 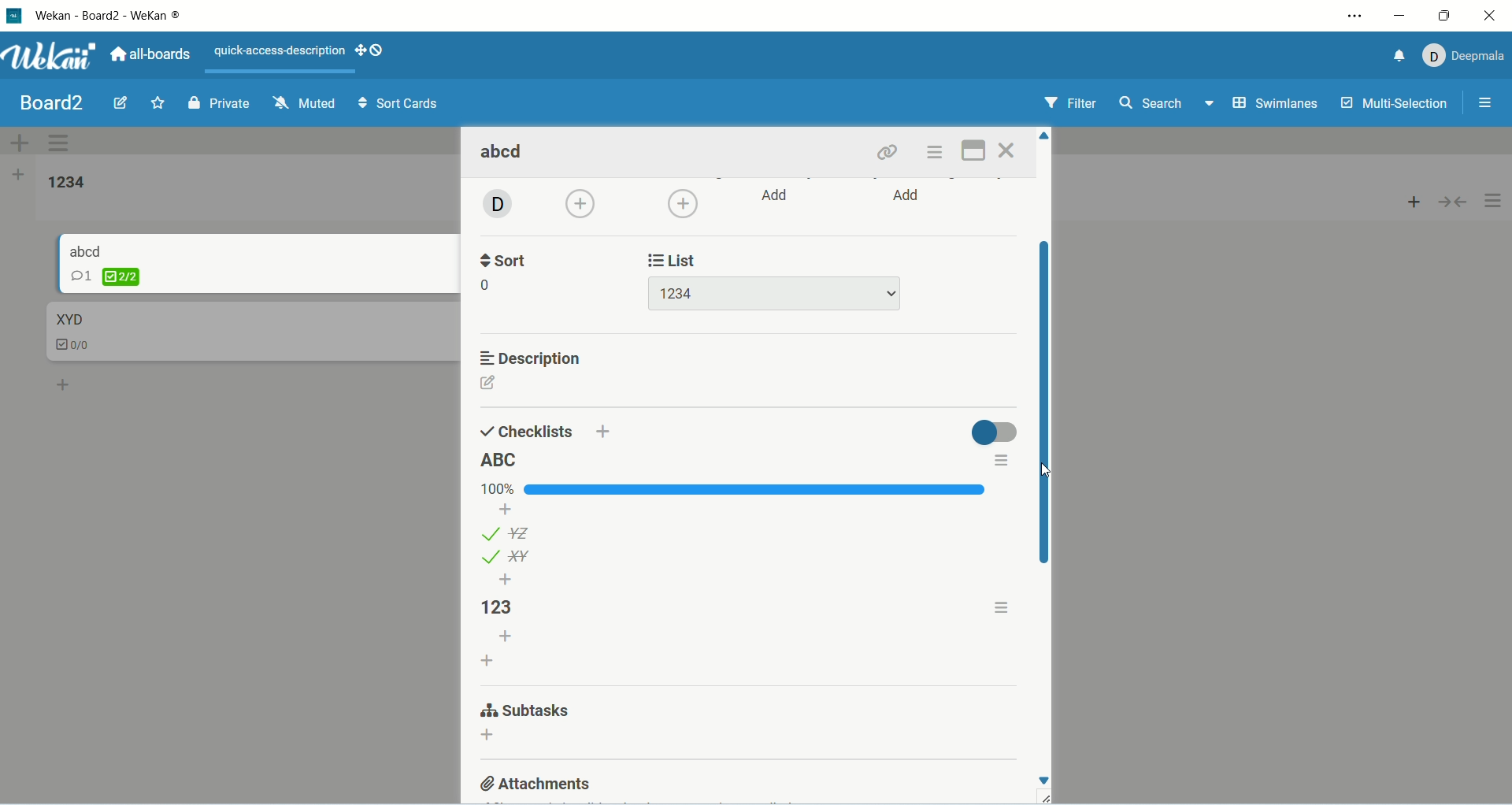 What do you see at coordinates (508, 607) in the screenshot?
I see `list title` at bounding box center [508, 607].